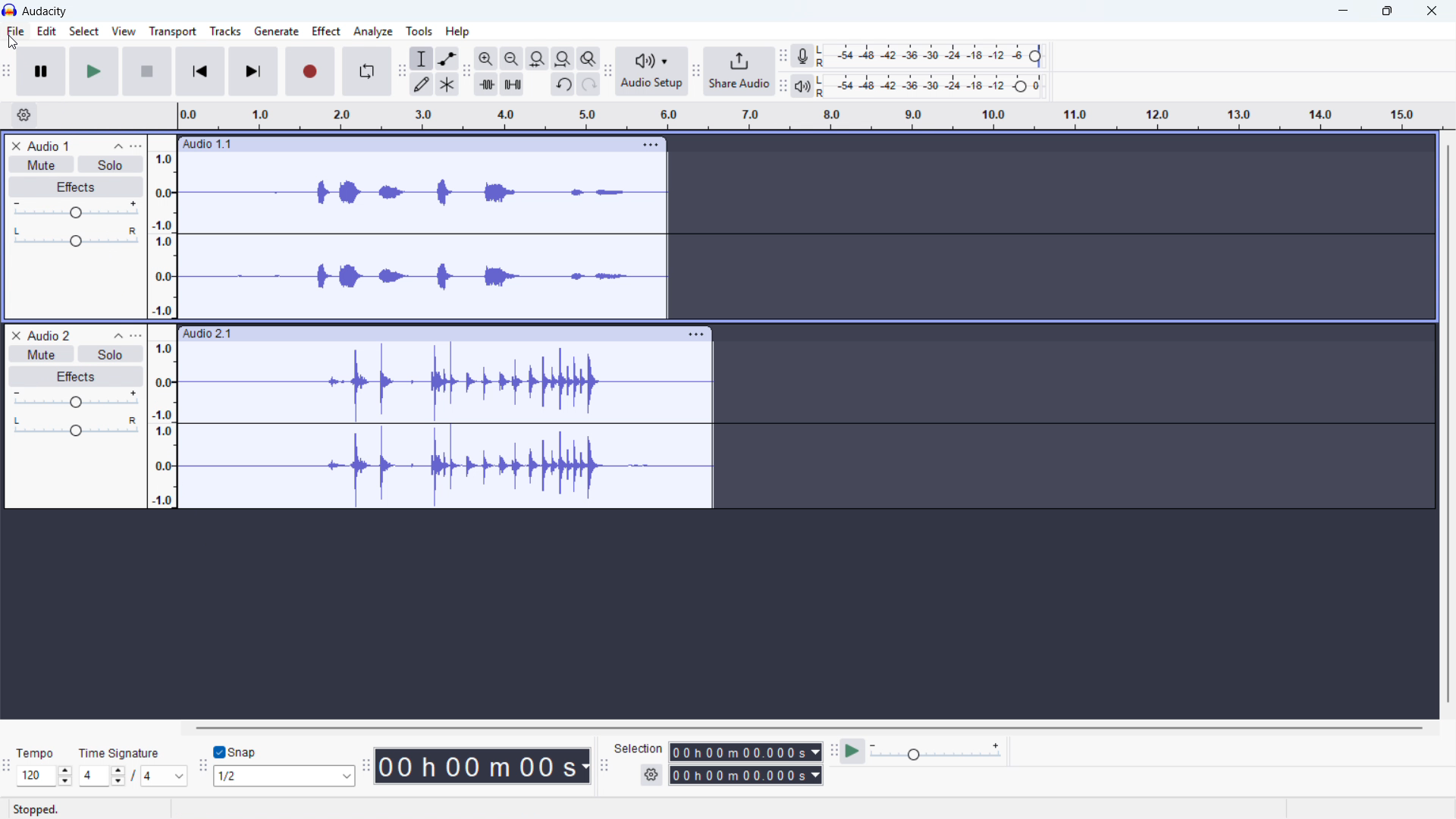 This screenshot has width=1456, height=819. What do you see at coordinates (76, 212) in the screenshot?
I see `Gain` at bounding box center [76, 212].